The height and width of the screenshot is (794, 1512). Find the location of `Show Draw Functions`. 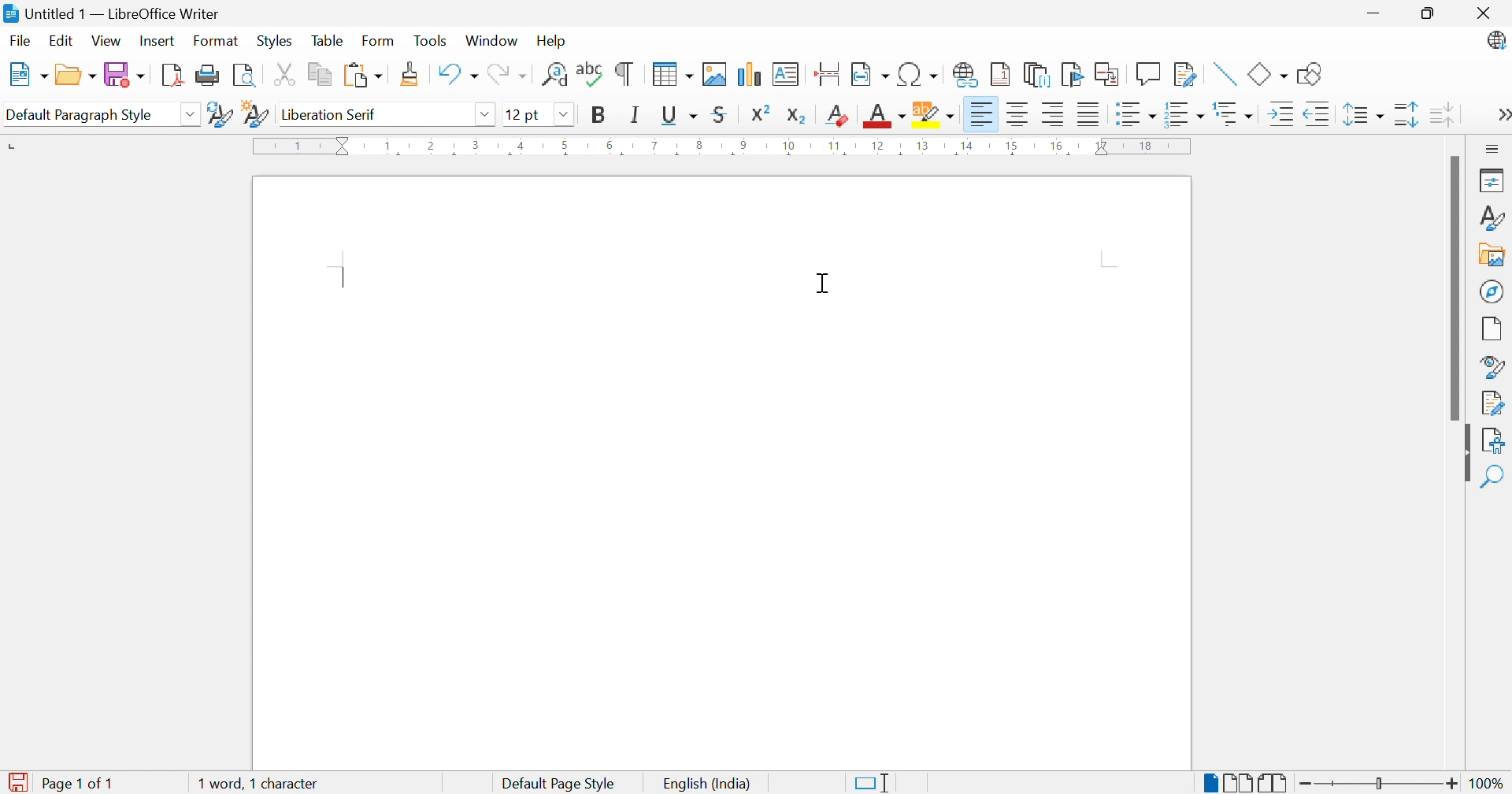

Show Draw Functions is located at coordinates (1310, 75).